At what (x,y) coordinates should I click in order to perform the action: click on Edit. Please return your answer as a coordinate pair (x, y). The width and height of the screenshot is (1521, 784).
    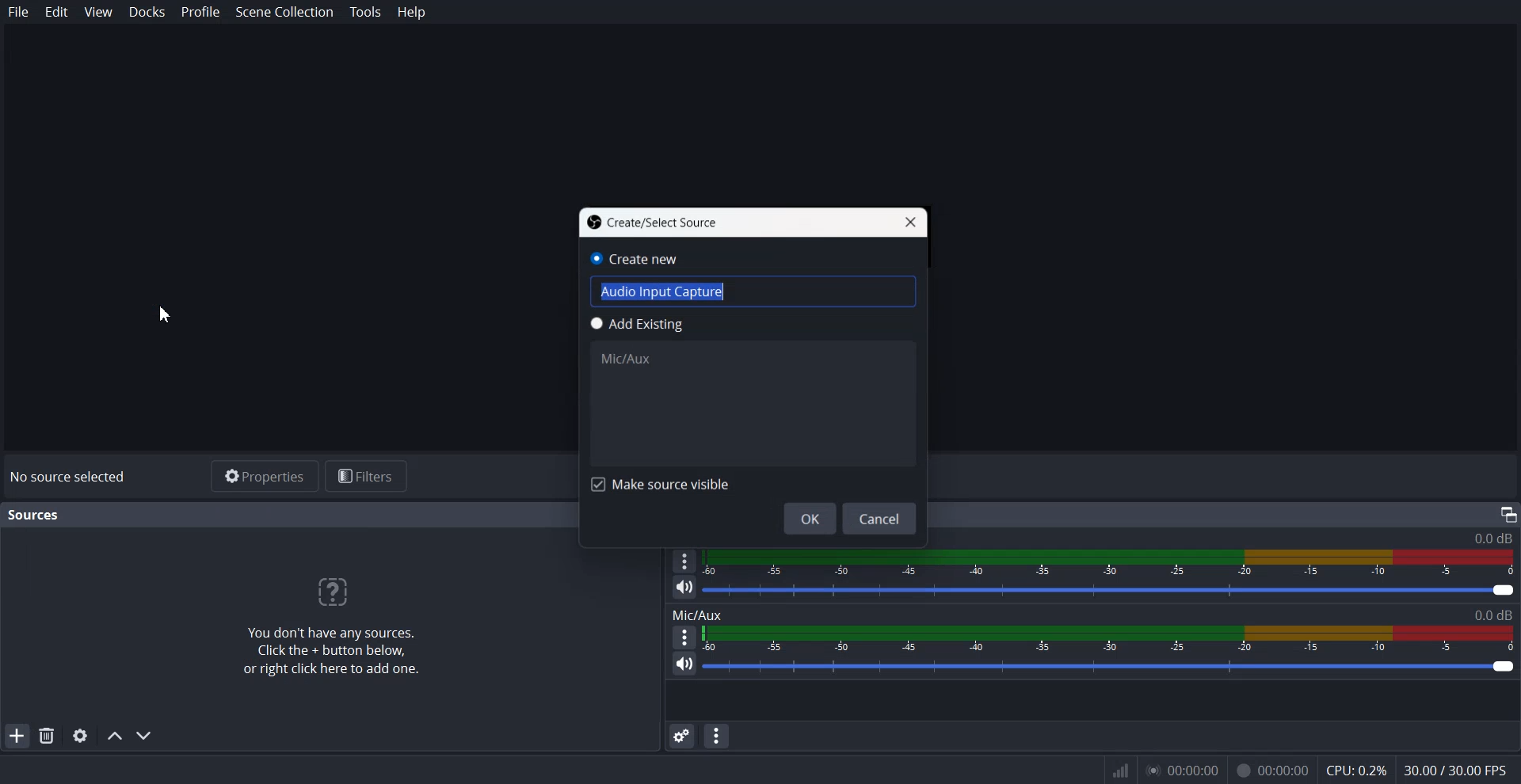
    Looking at the image, I should click on (57, 12).